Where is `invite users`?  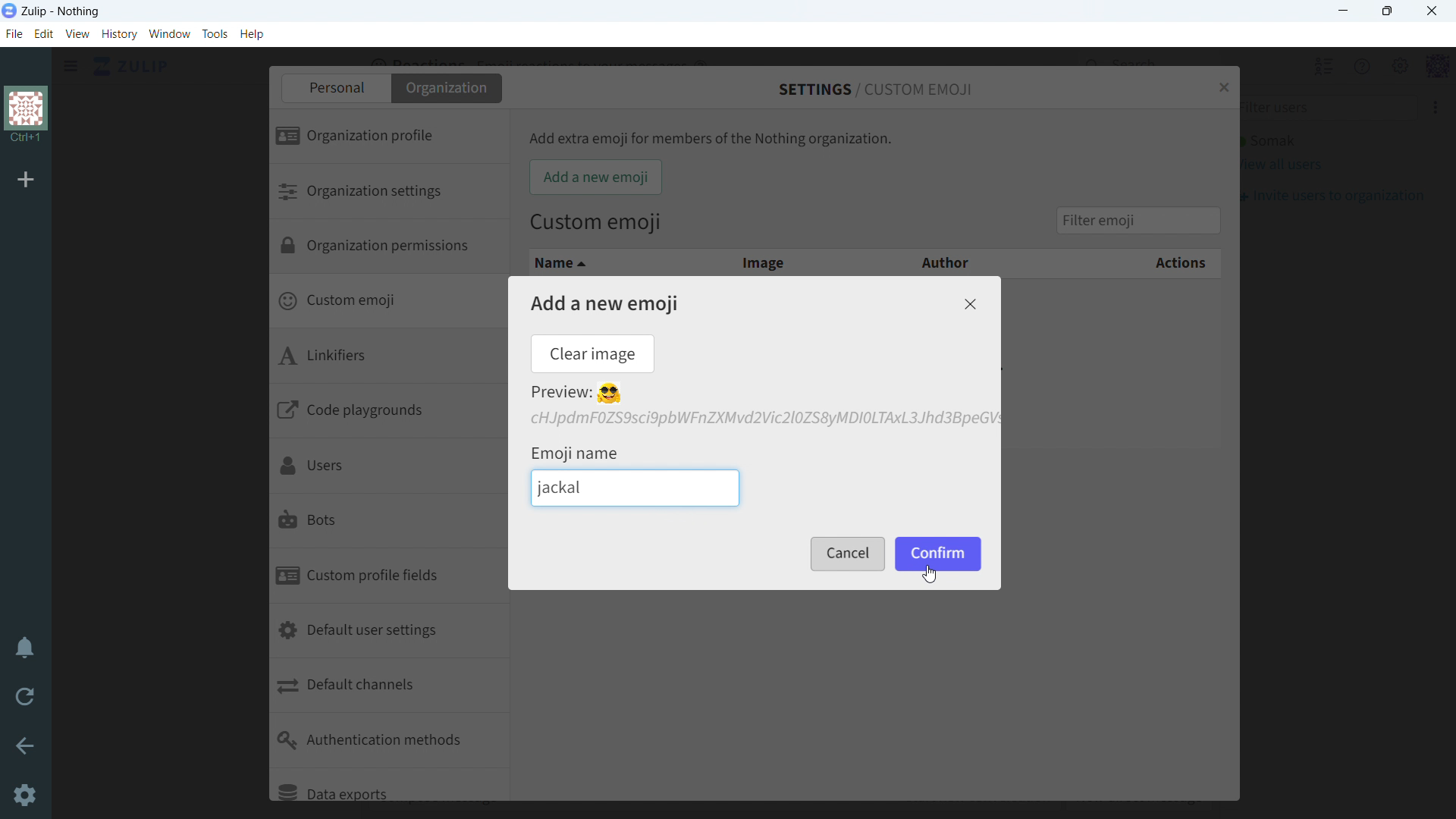 invite users is located at coordinates (1419, 108).